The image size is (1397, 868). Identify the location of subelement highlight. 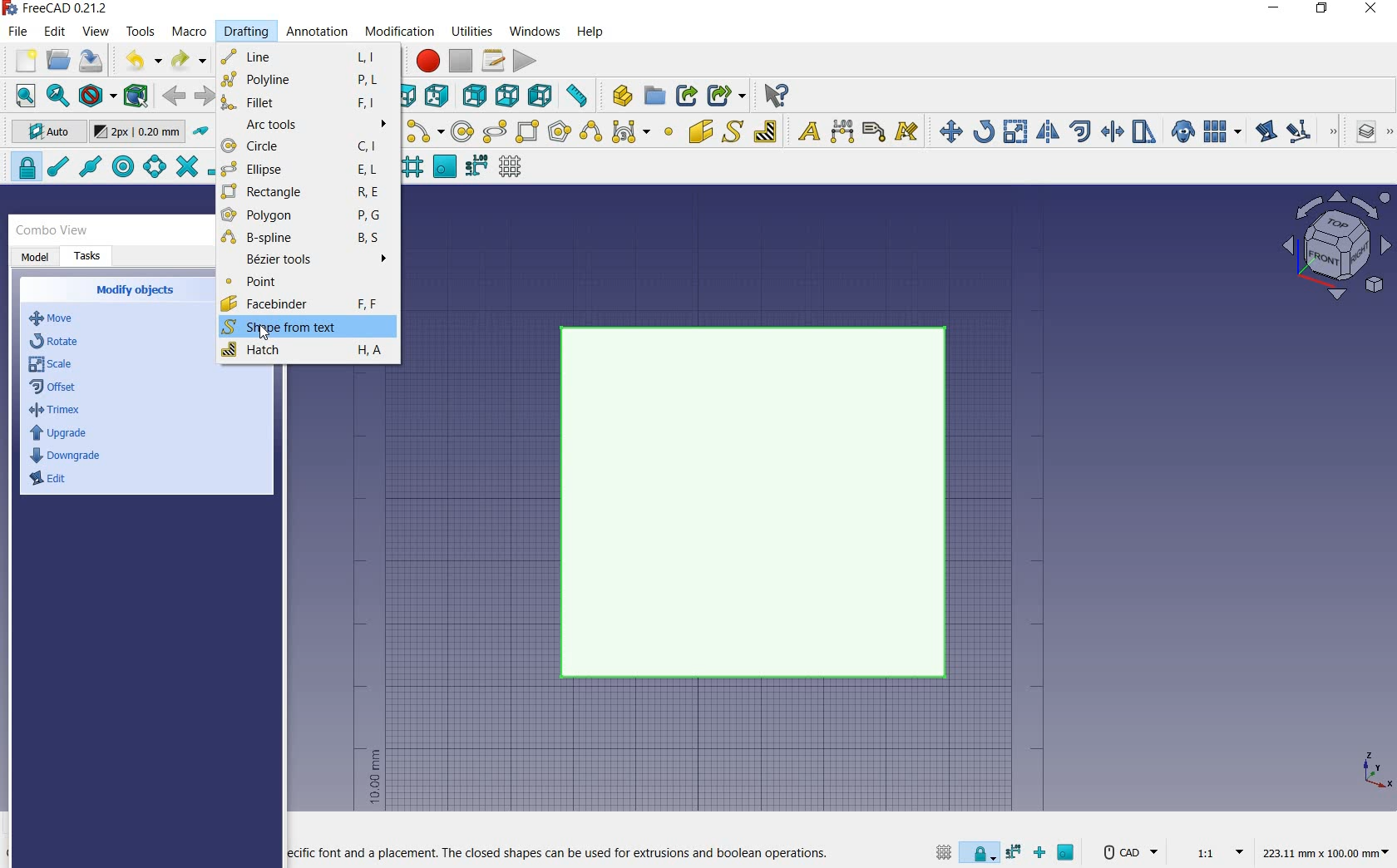
(1311, 131).